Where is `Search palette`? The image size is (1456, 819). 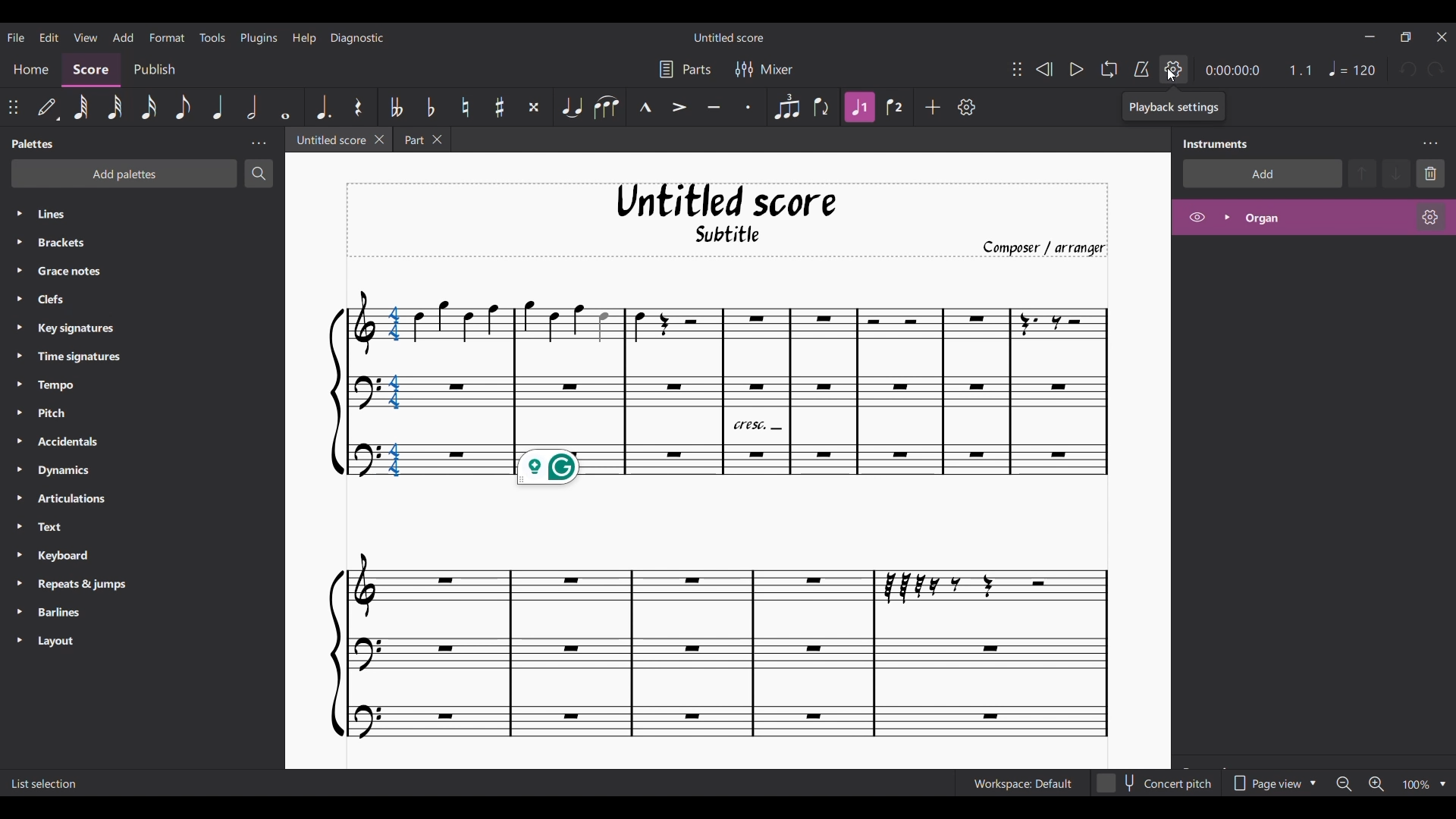
Search palette is located at coordinates (259, 173).